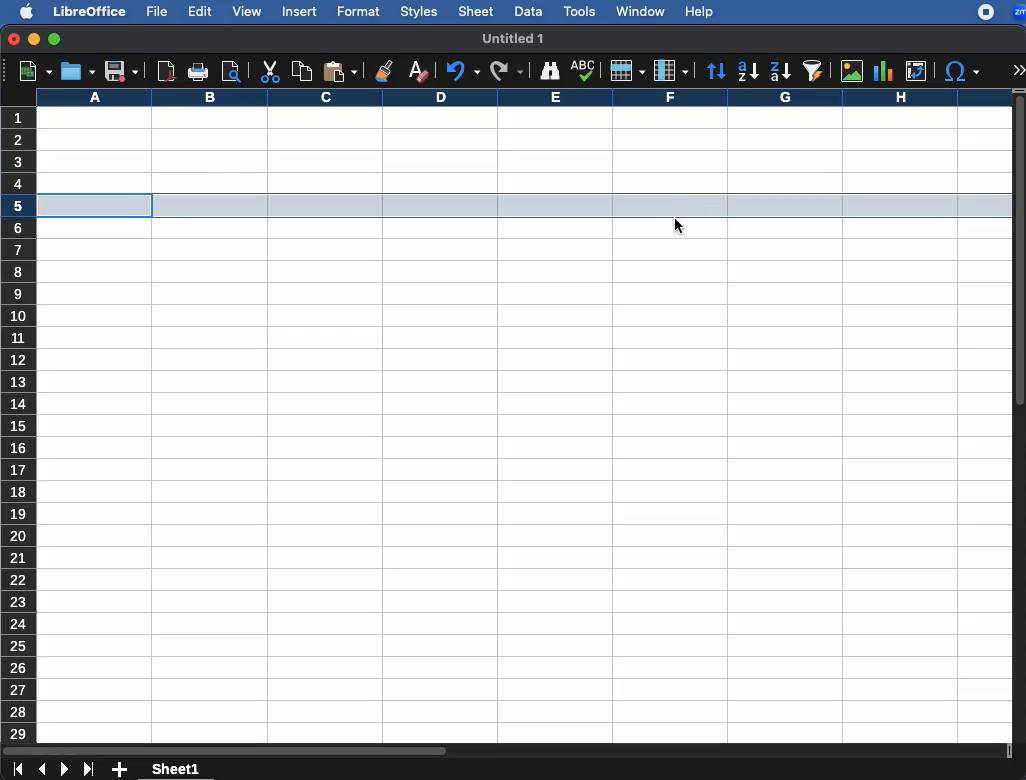 The height and width of the screenshot is (780, 1026). Describe the element at coordinates (17, 425) in the screenshot. I see `rows` at that location.